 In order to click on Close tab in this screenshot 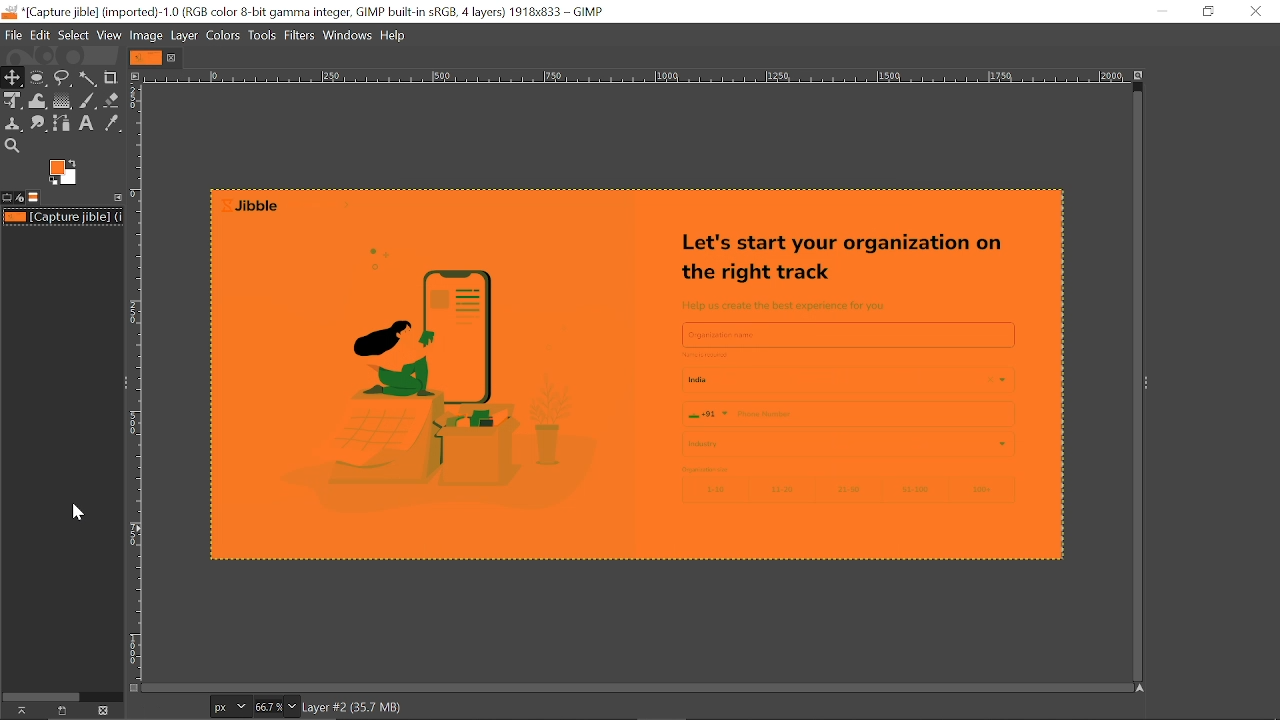, I will do `click(174, 57)`.